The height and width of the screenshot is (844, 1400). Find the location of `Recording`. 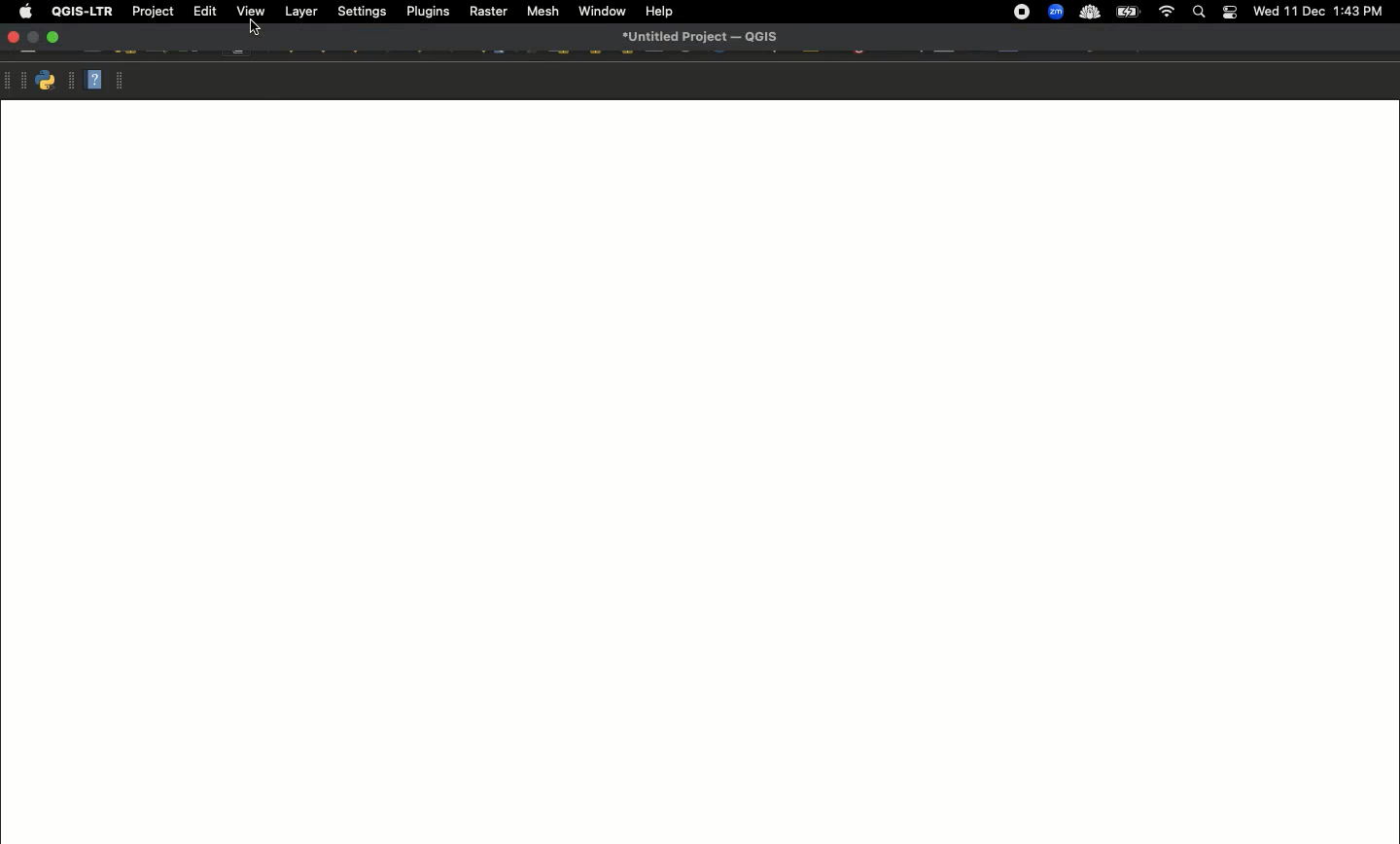

Recording is located at coordinates (1022, 13).